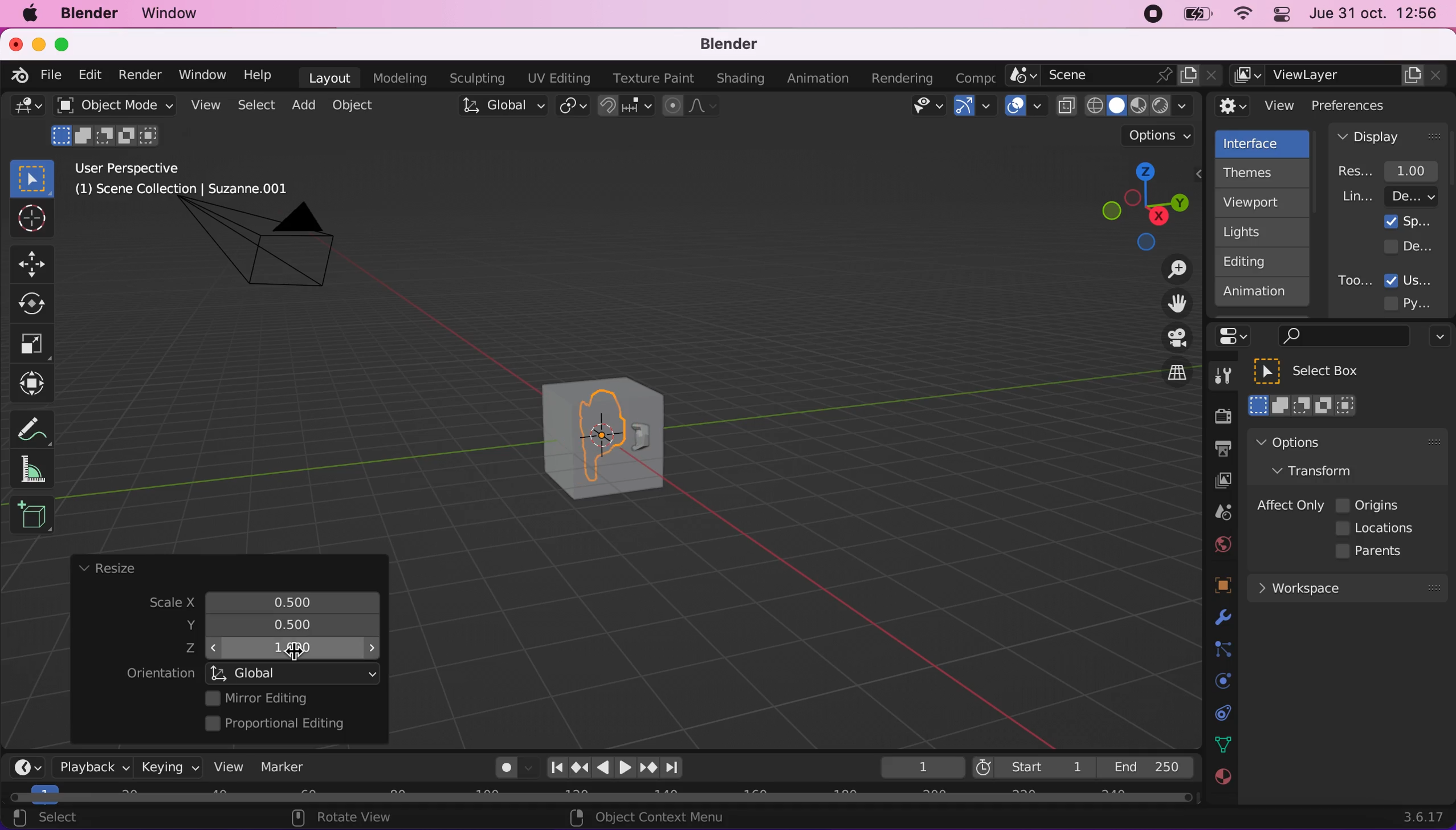  What do you see at coordinates (1374, 14) in the screenshot?
I see `jue 31 oct. 12:56` at bounding box center [1374, 14].